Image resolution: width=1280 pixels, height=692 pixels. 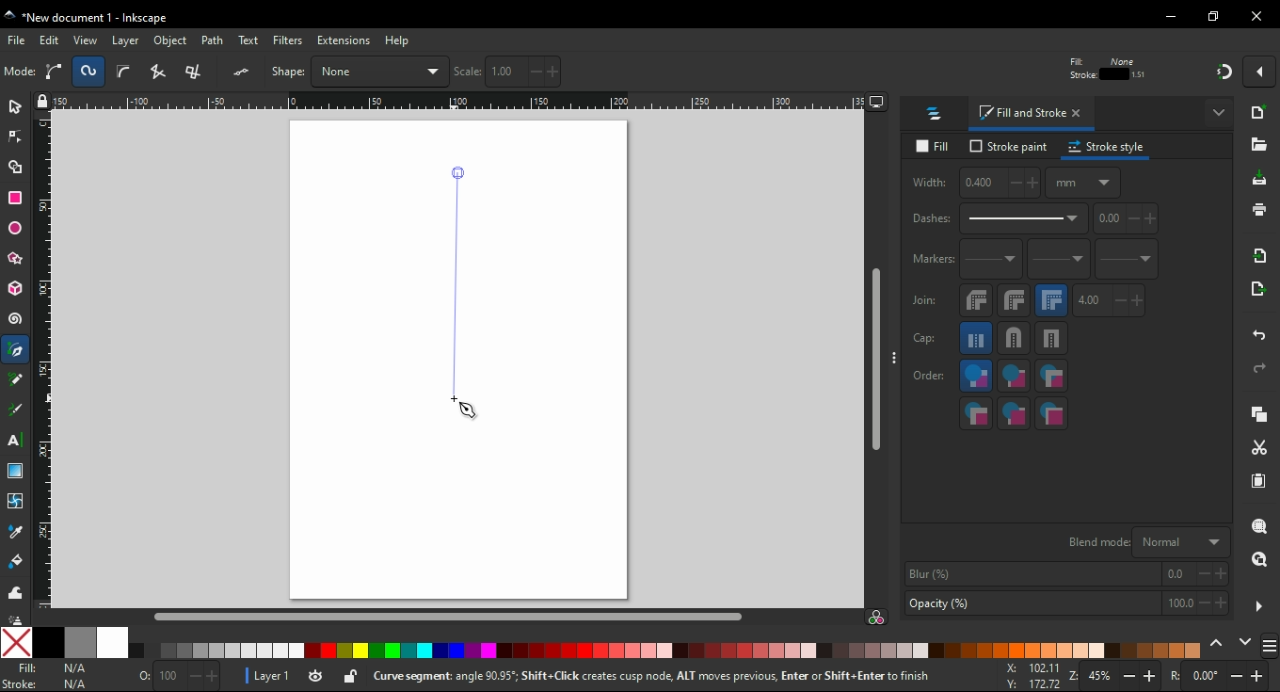 I want to click on color tone pallete, so click(x=875, y=650).